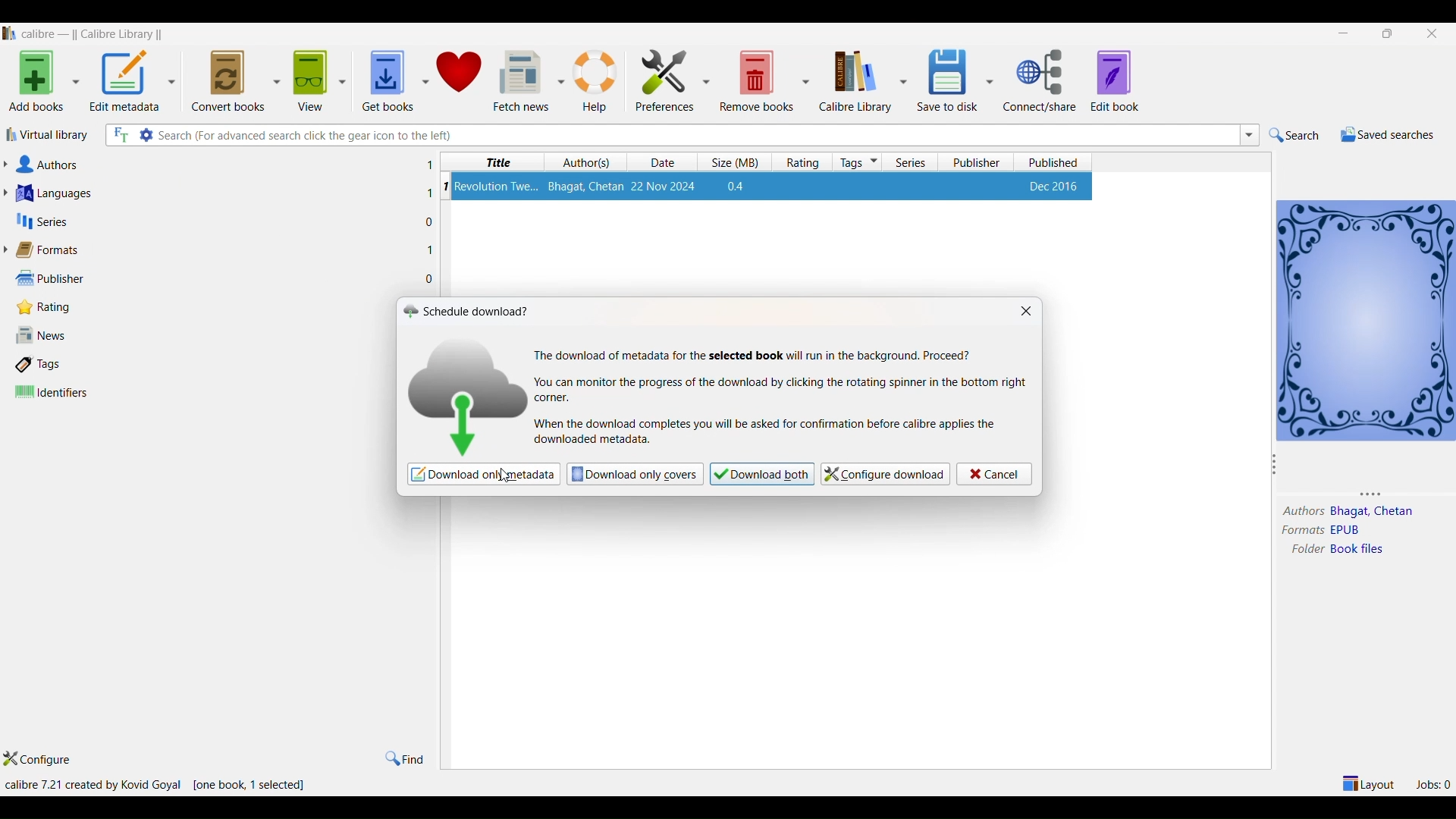 The height and width of the screenshot is (819, 1456). I want to click on fetch news, so click(522, 76).